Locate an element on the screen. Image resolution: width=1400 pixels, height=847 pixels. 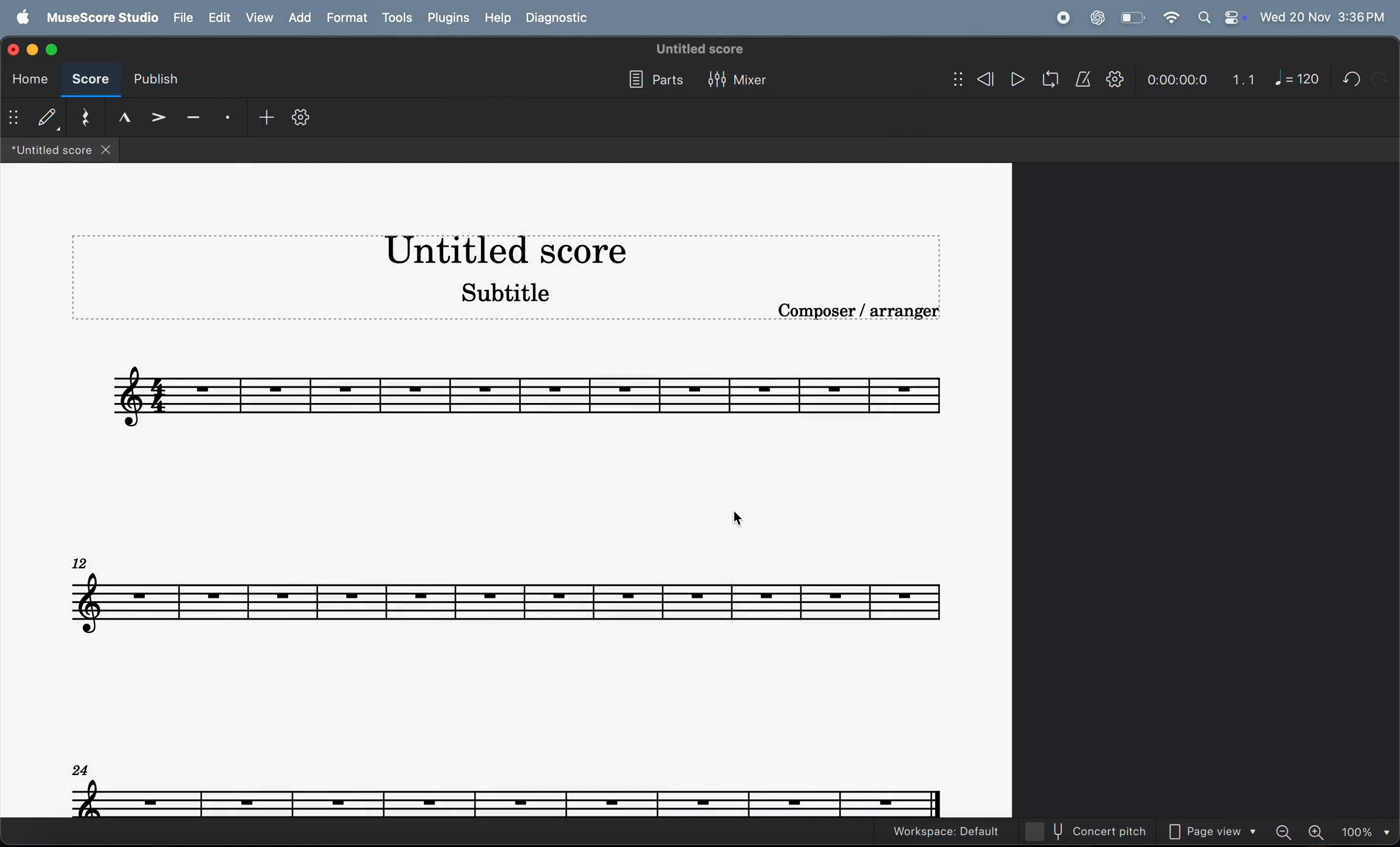
settings is located at coordinates (1115, 80).